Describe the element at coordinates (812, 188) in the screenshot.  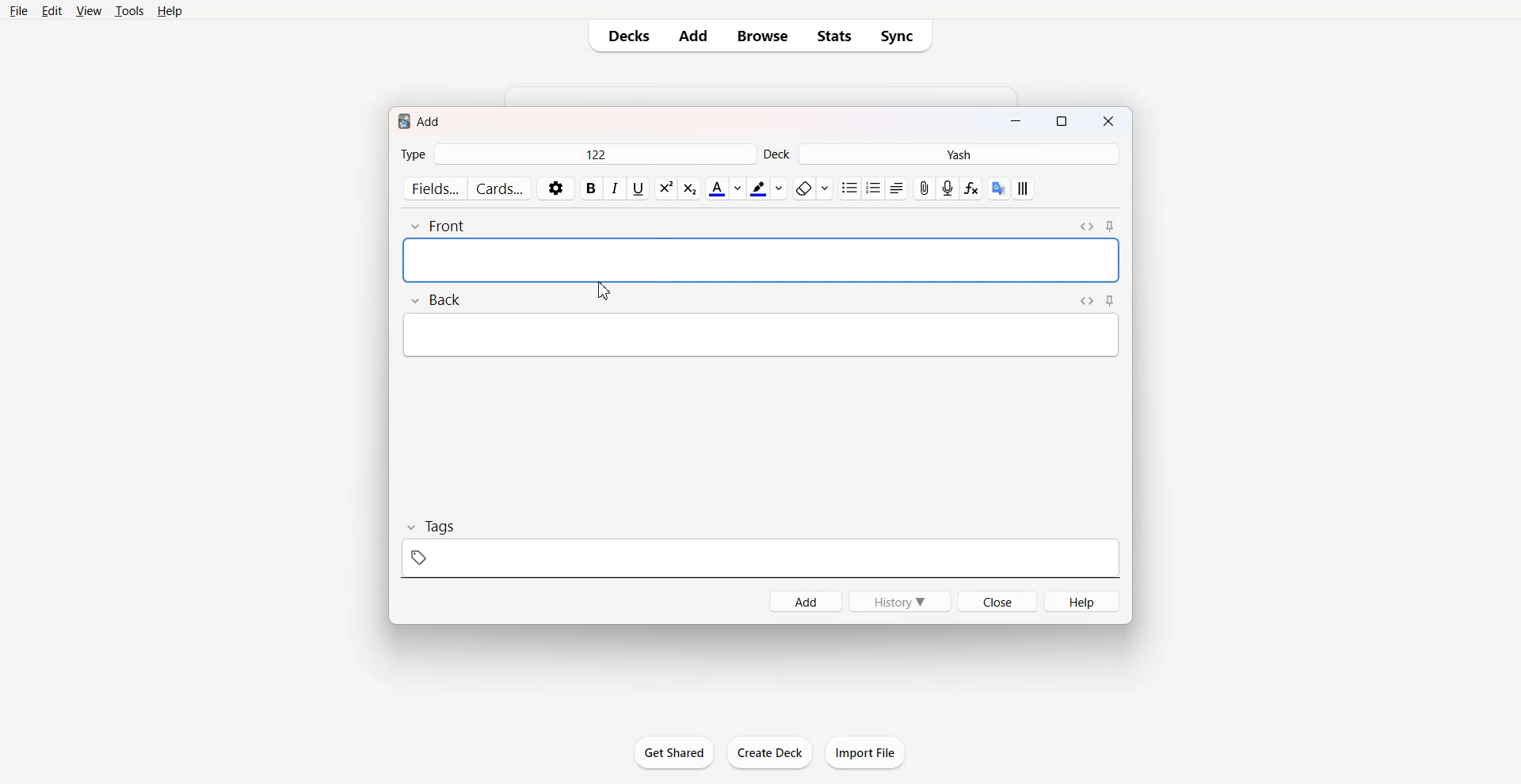
I see `Remove Format` at that location.